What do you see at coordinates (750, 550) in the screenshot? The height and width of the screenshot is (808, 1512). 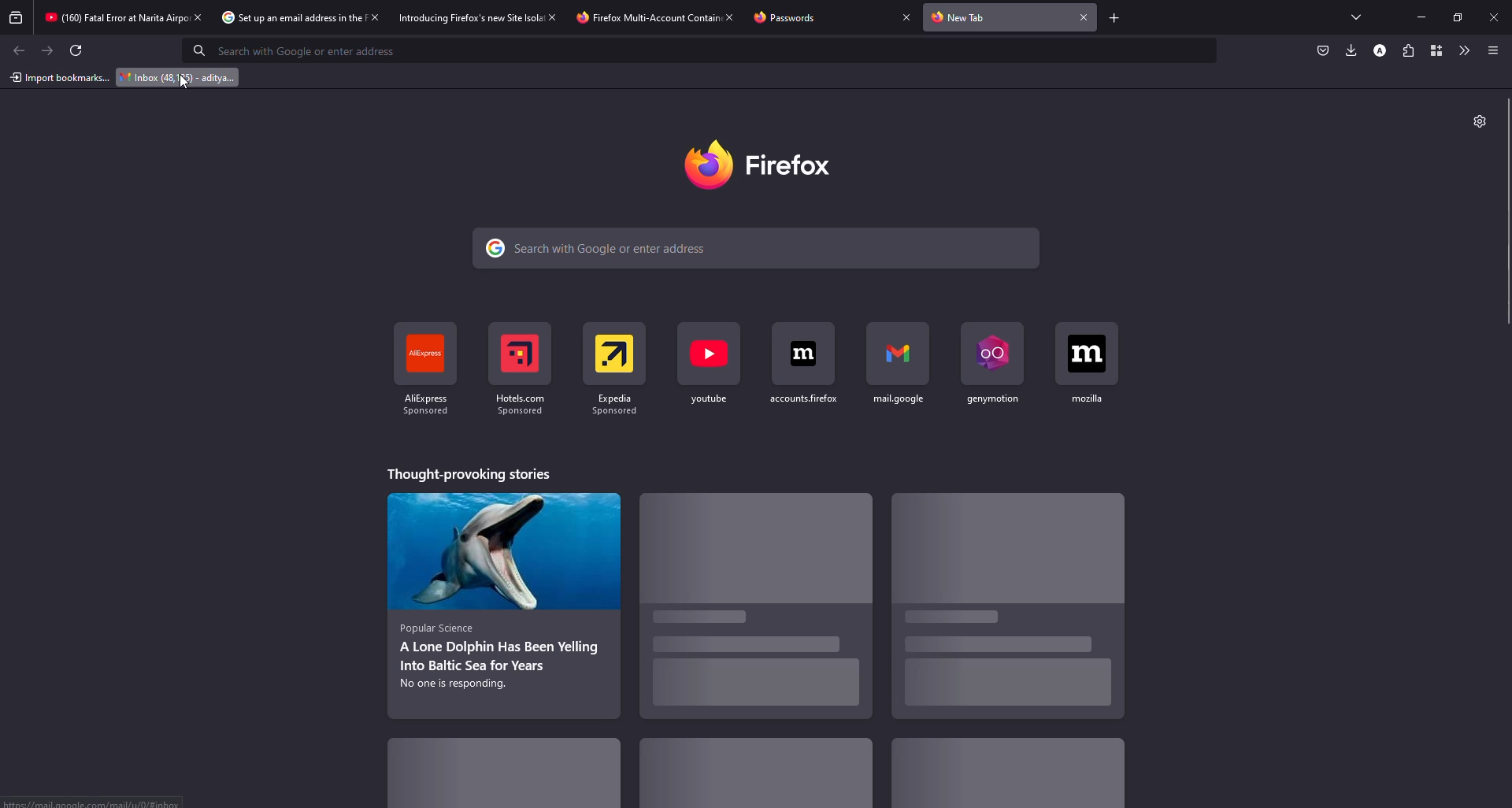 I see `Image` at bounding box center [750, 550].